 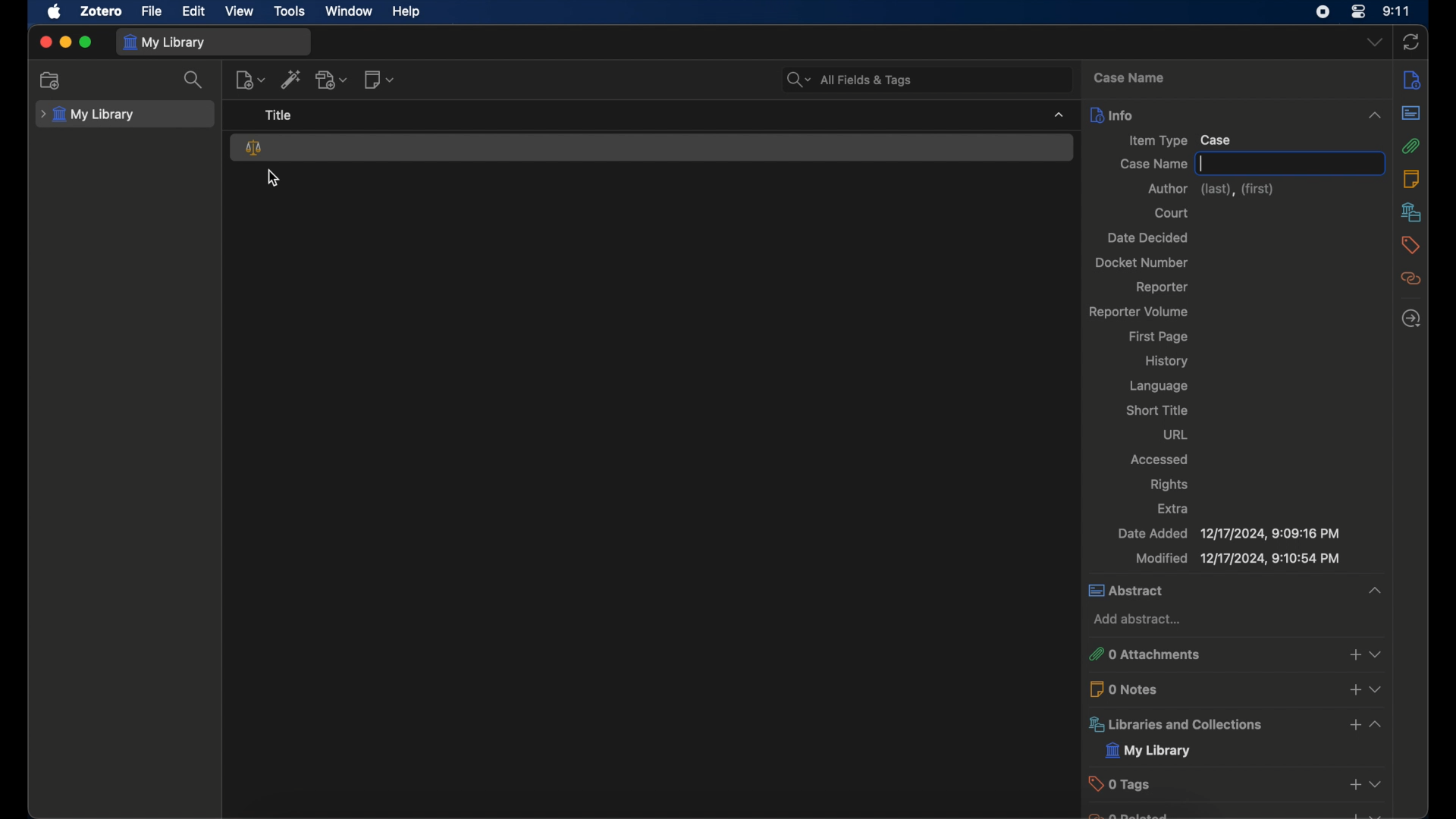 What do you see at coordinates (290, 11) in the screenshot?
I see `tools` at bounding box center [290, 11].